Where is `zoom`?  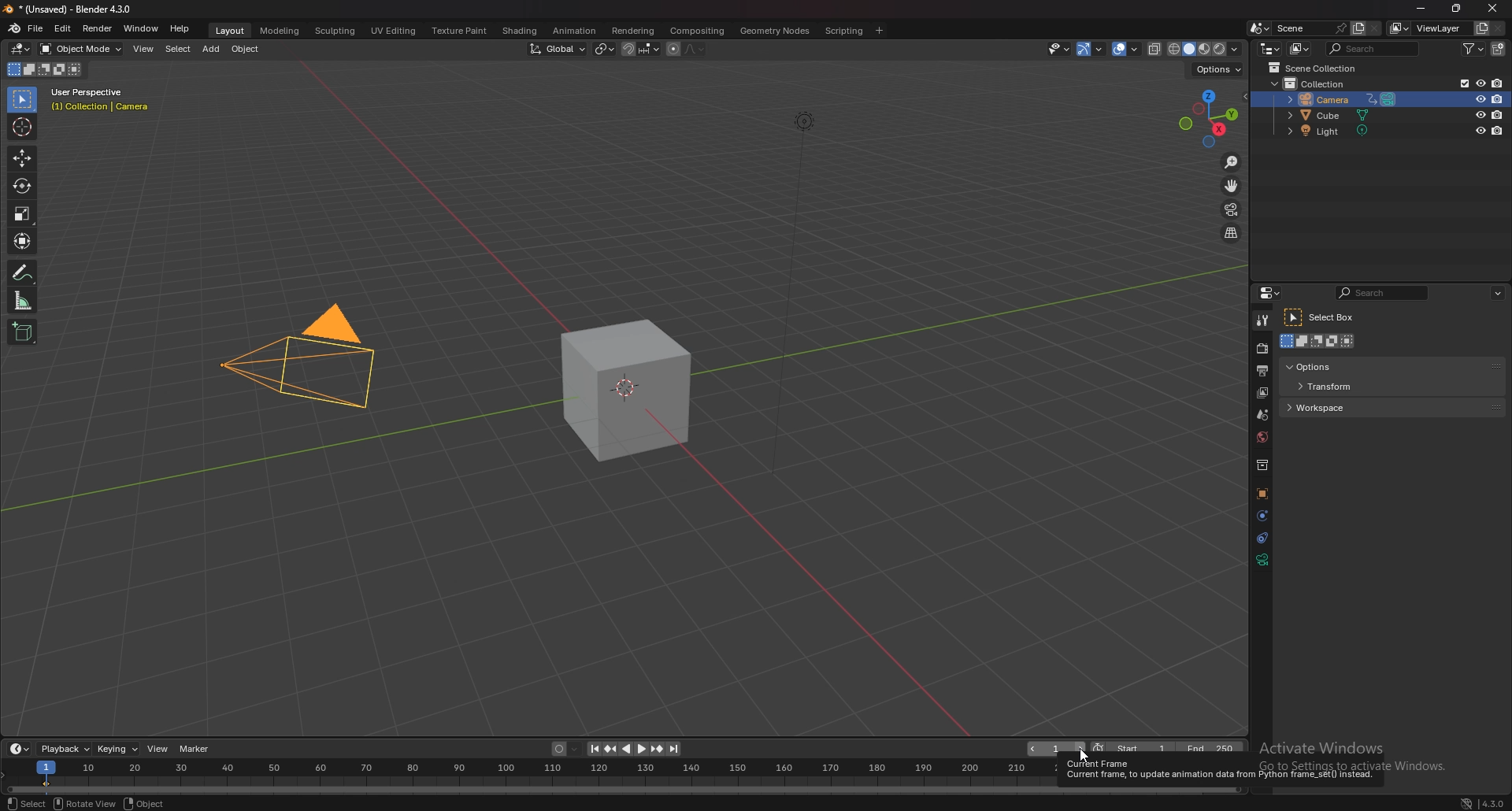 zoom is located at coordinates (1230, 161).